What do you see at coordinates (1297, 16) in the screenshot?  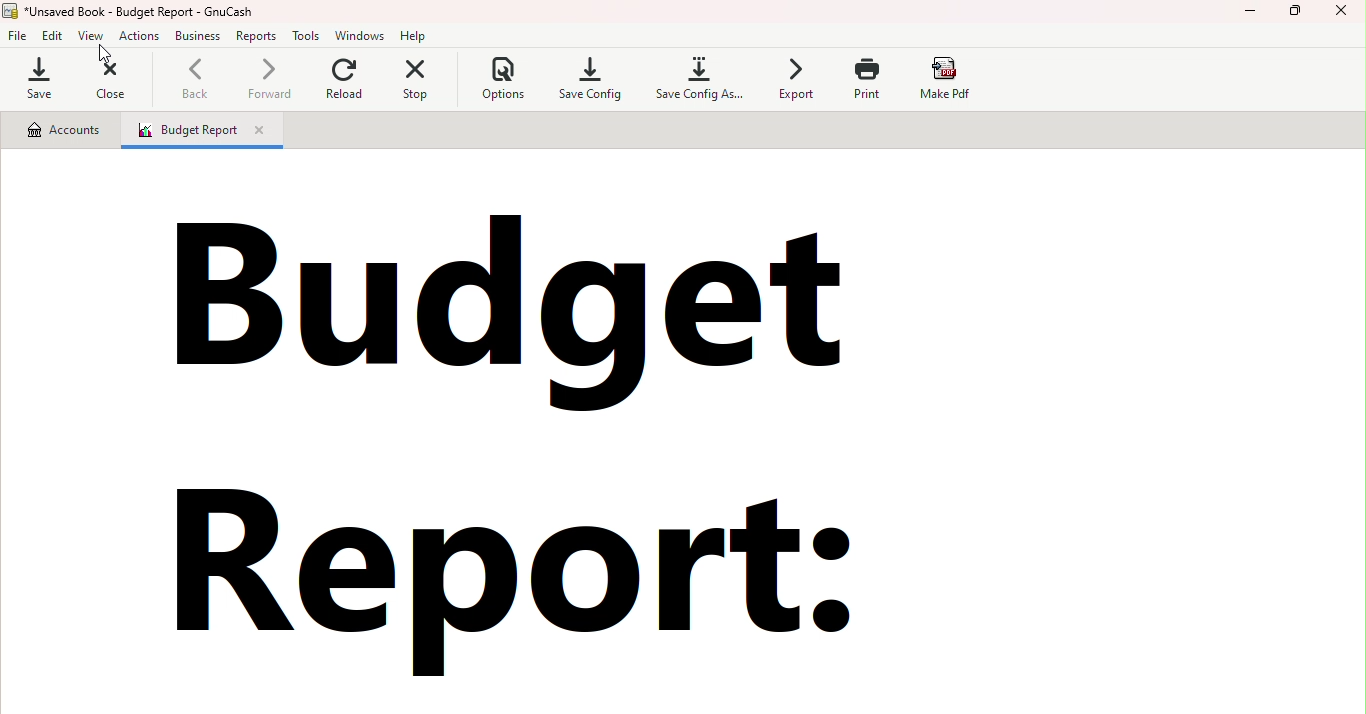 I see `Maximize` at bounding box center [1297, 16].